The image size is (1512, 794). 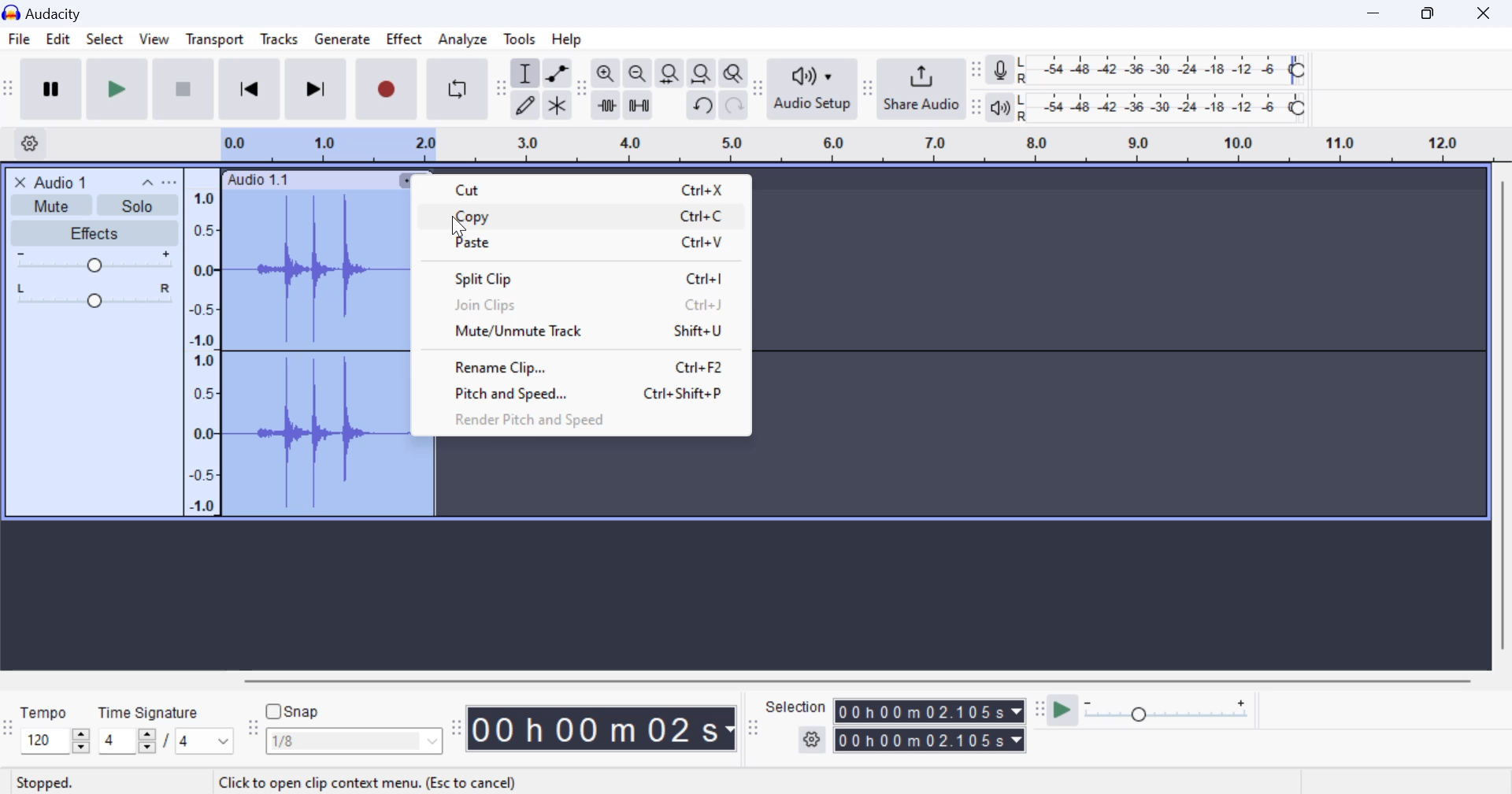 I want to click on Close Window, so click(x=1488, y=11).